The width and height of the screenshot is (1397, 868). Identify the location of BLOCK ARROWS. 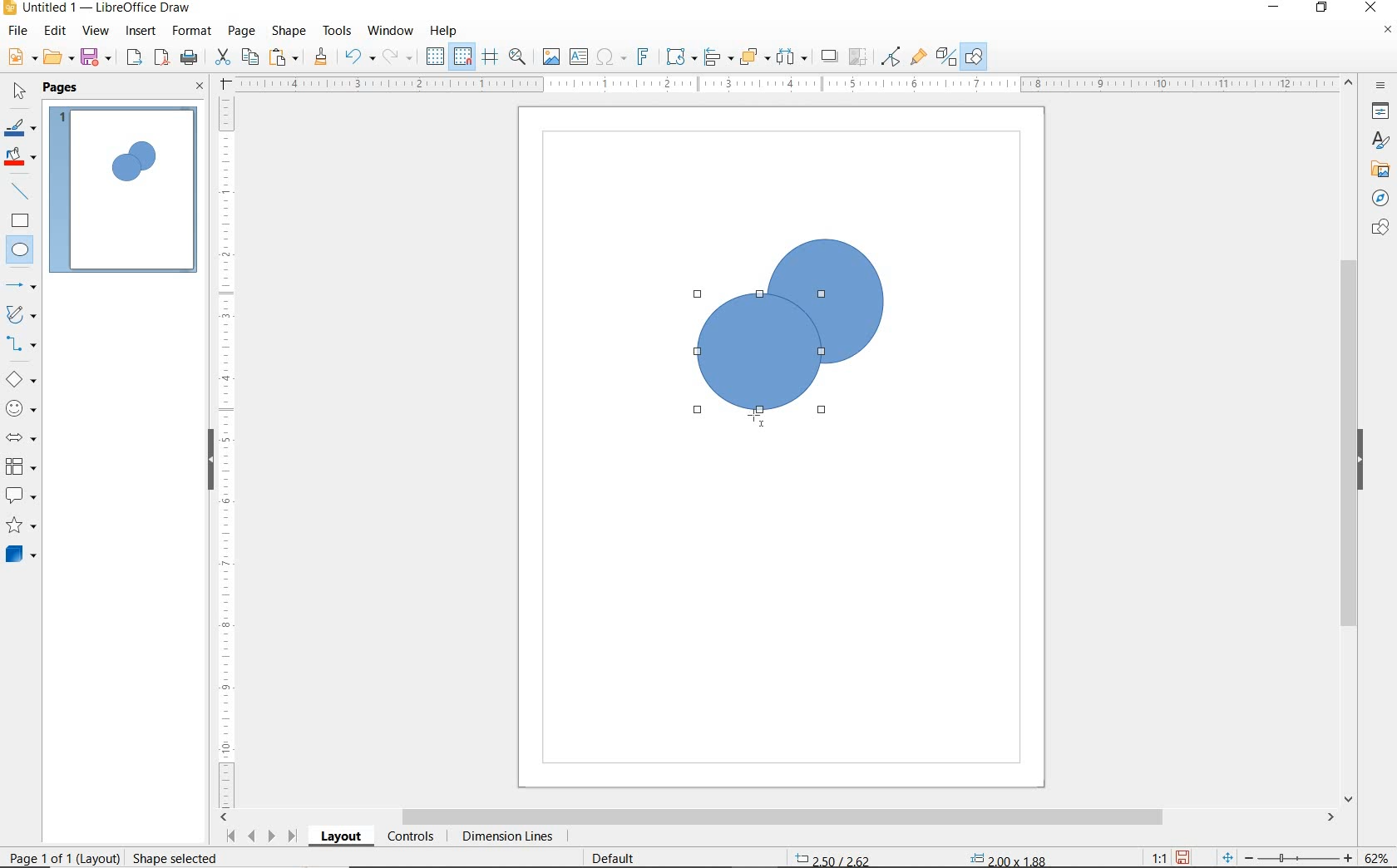
(20, 435).